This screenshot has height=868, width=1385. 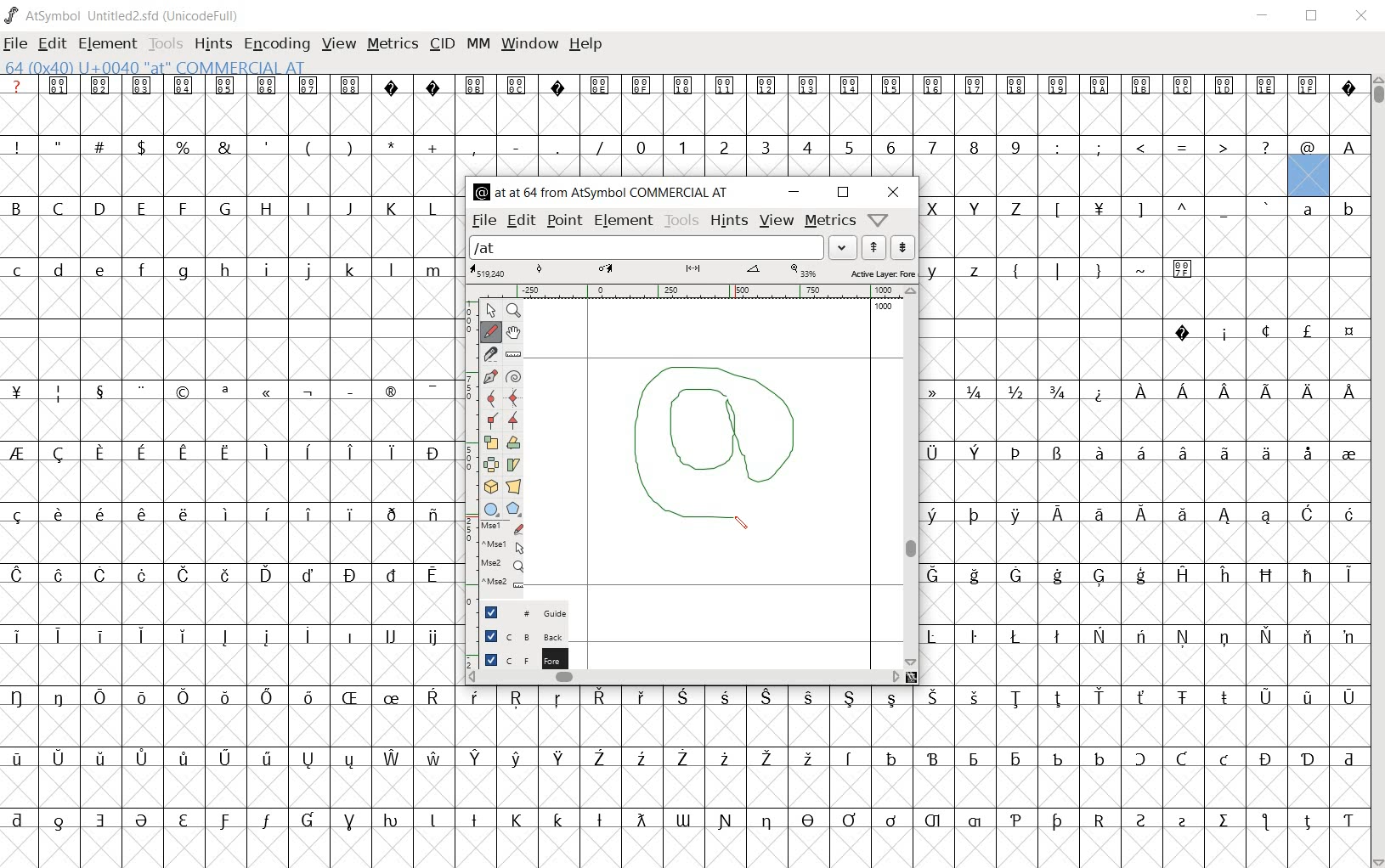 I want to click on file, so click(x=483, y=222).